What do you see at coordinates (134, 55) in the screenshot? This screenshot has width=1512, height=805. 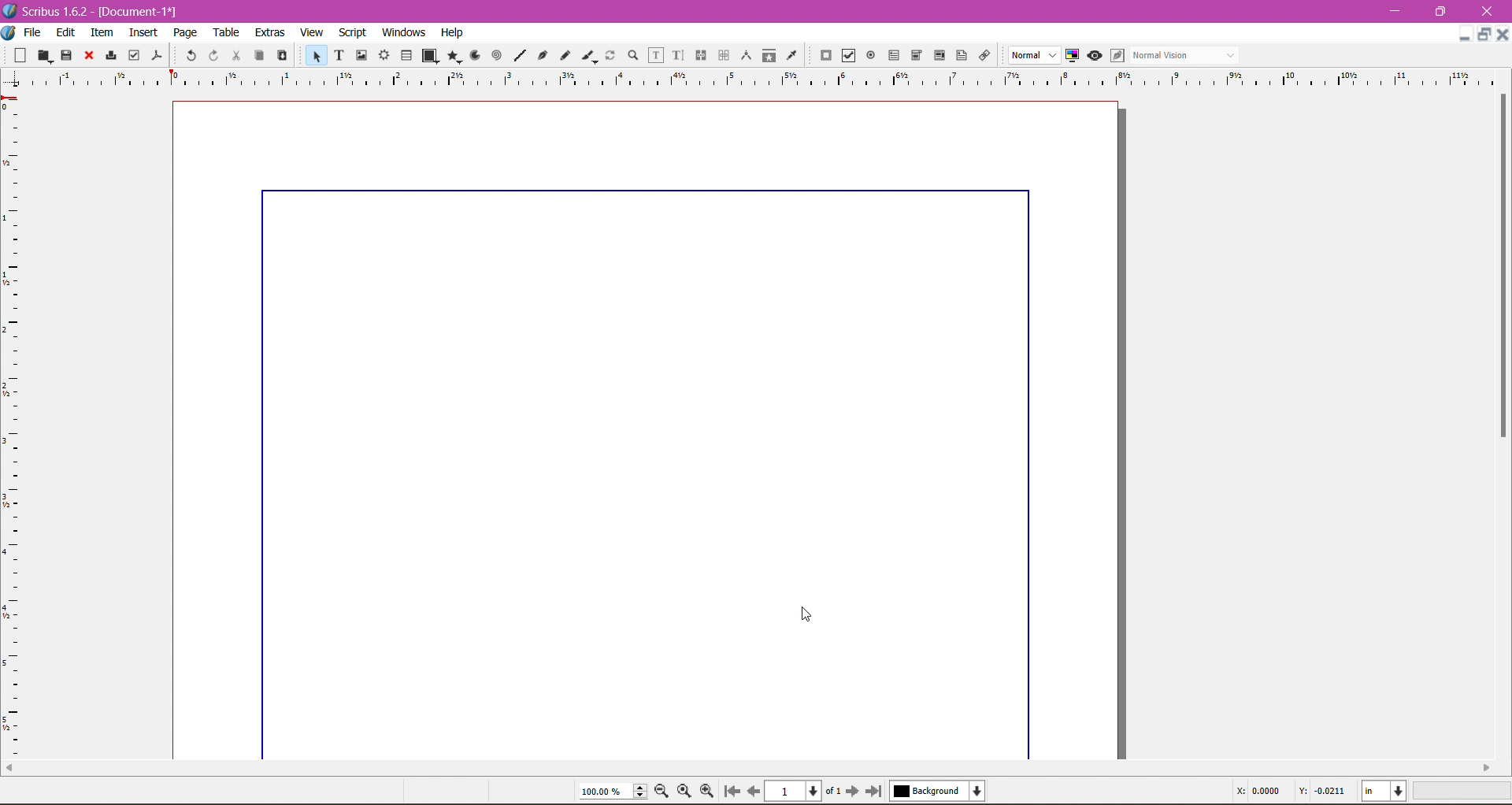 I see `Preflight Verifier` at bounding box center [134, 55].